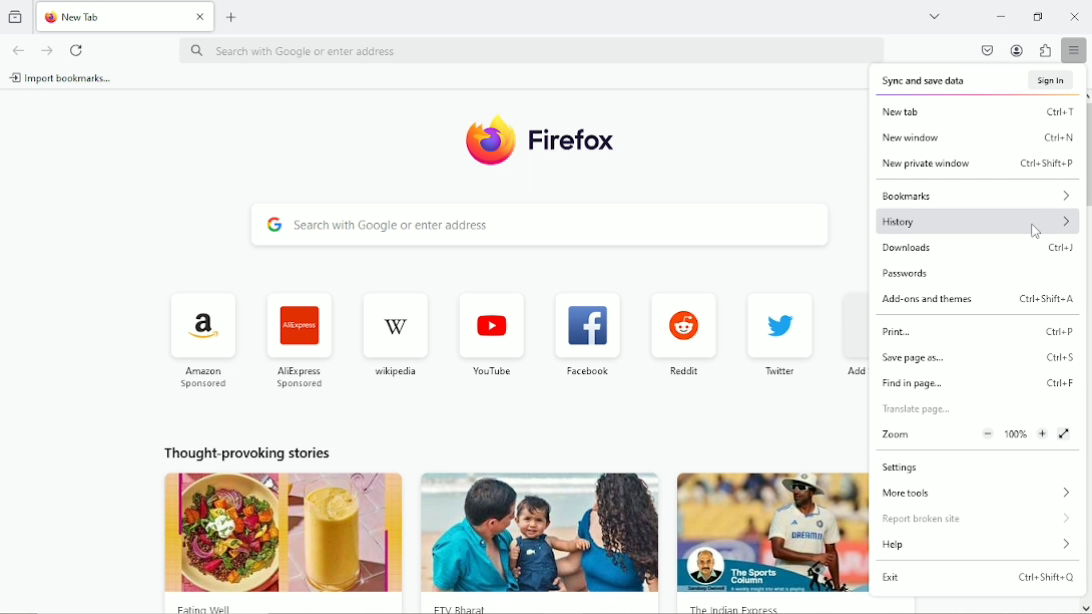 The image size is (1092, 614). I want to click on icon, so click(488, 140).